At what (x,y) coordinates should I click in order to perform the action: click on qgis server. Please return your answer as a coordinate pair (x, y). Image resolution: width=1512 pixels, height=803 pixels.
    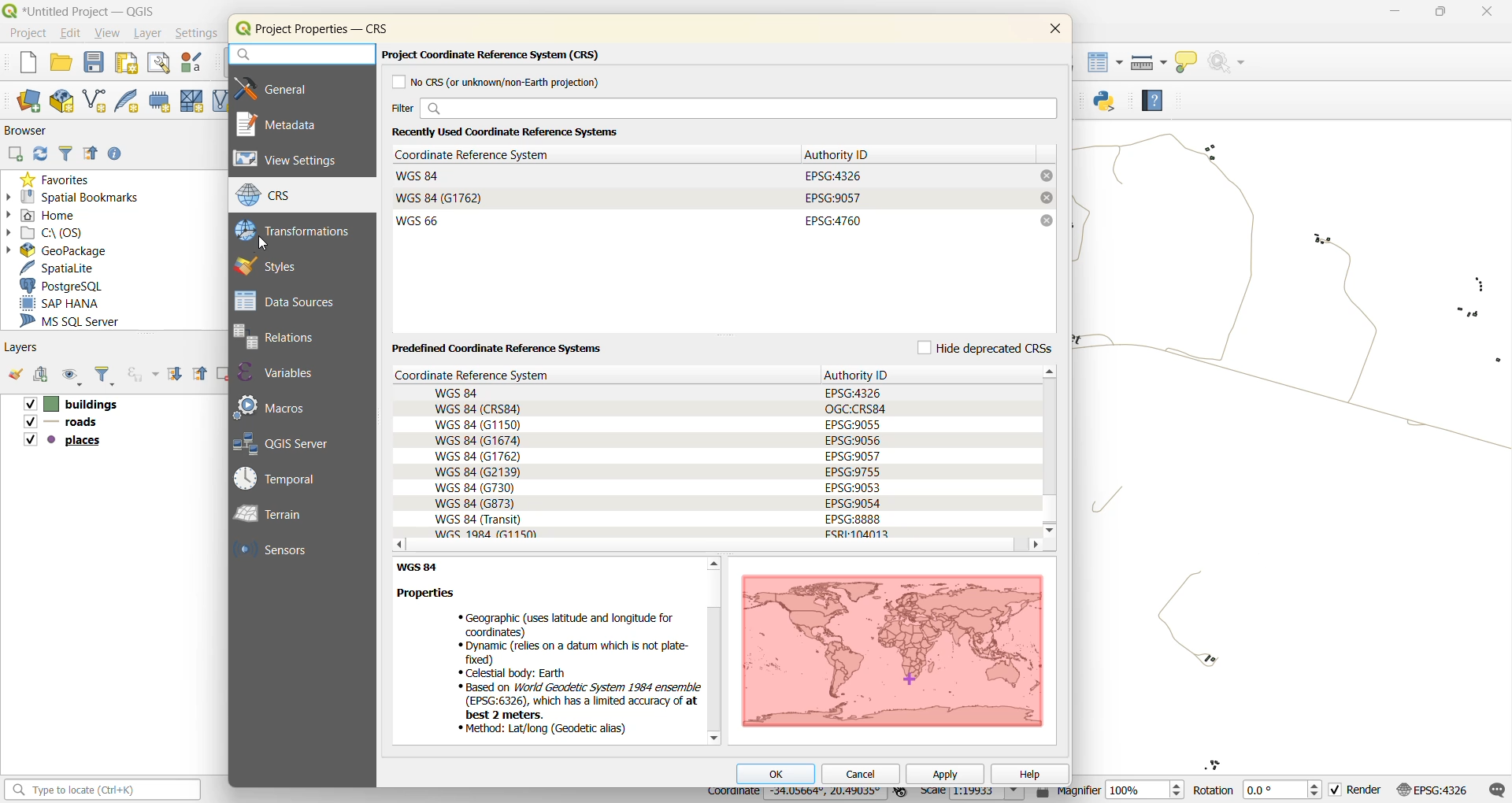
    Looking at the image, I should click on (295, 442).